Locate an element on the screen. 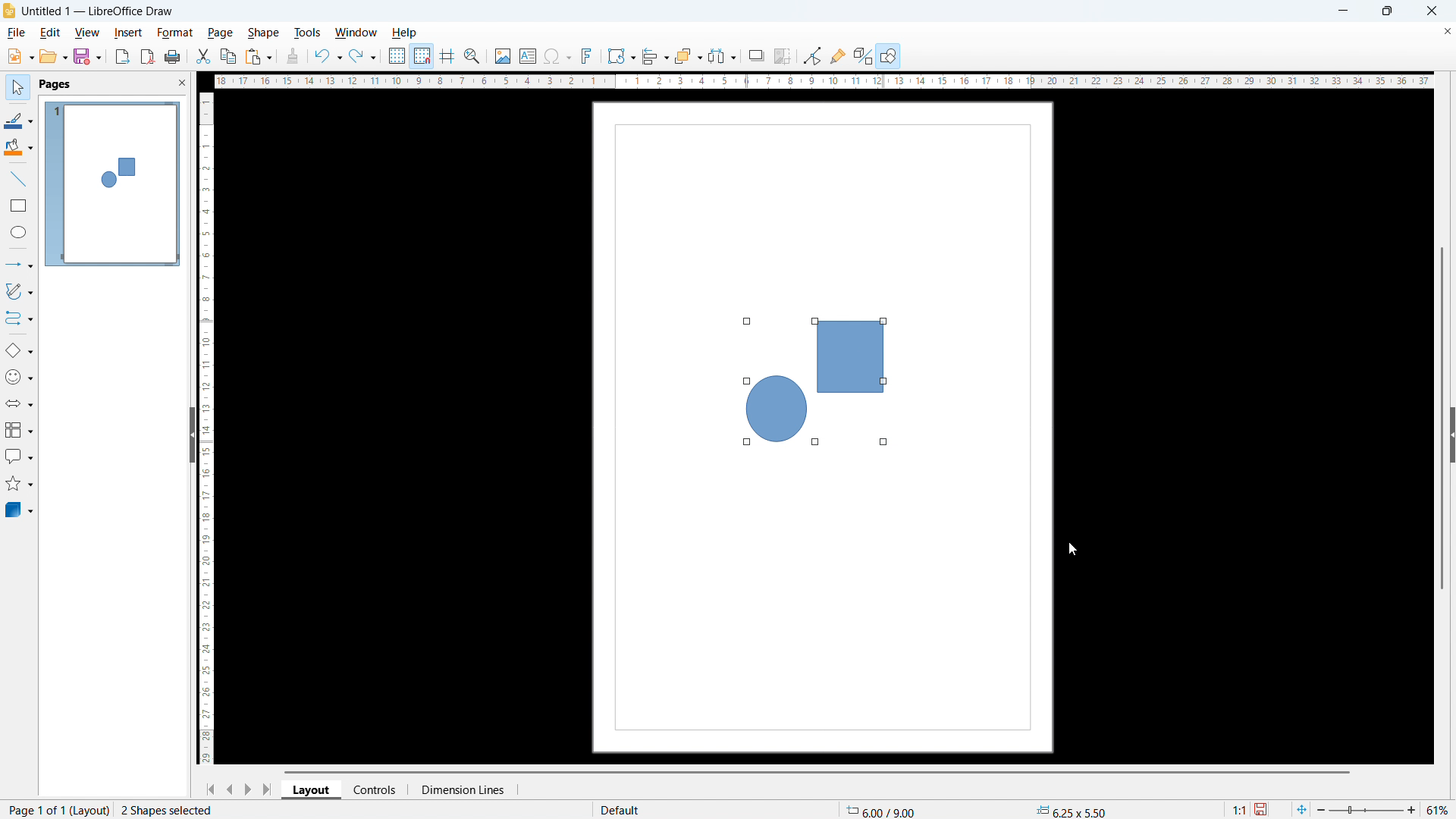  page is located at coordinates (221, 32).